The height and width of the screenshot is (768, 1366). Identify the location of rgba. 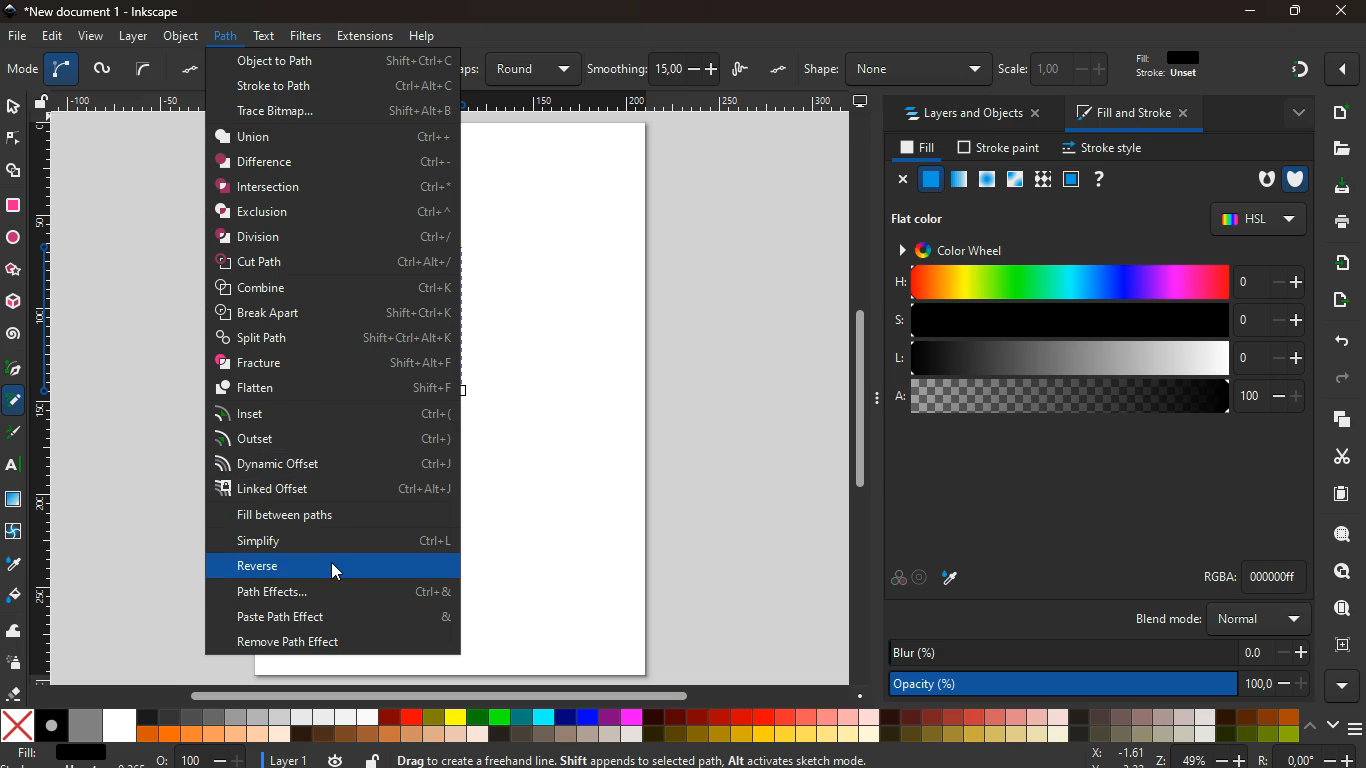
(1253, 577).